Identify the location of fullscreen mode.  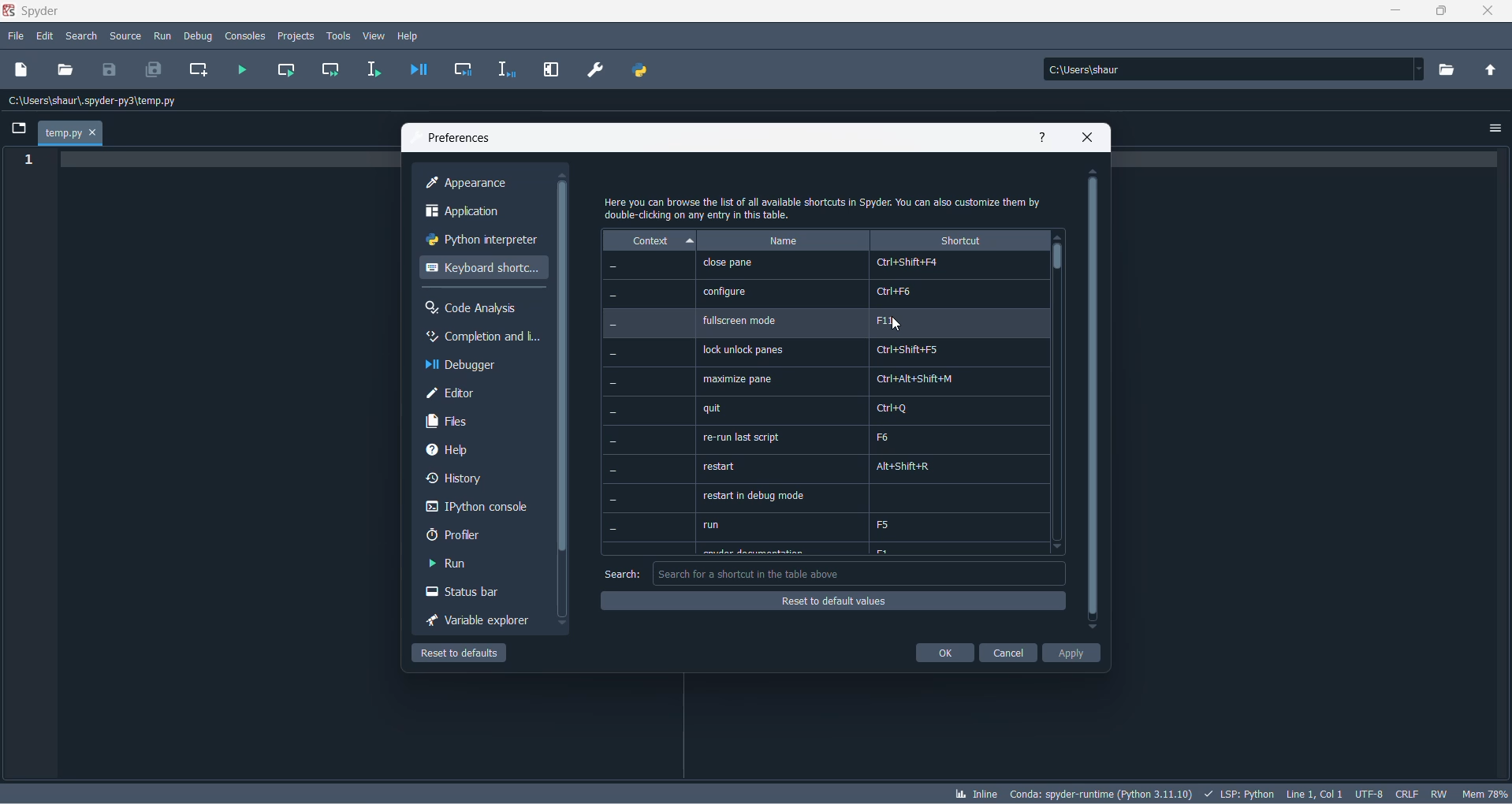
(740, 321).